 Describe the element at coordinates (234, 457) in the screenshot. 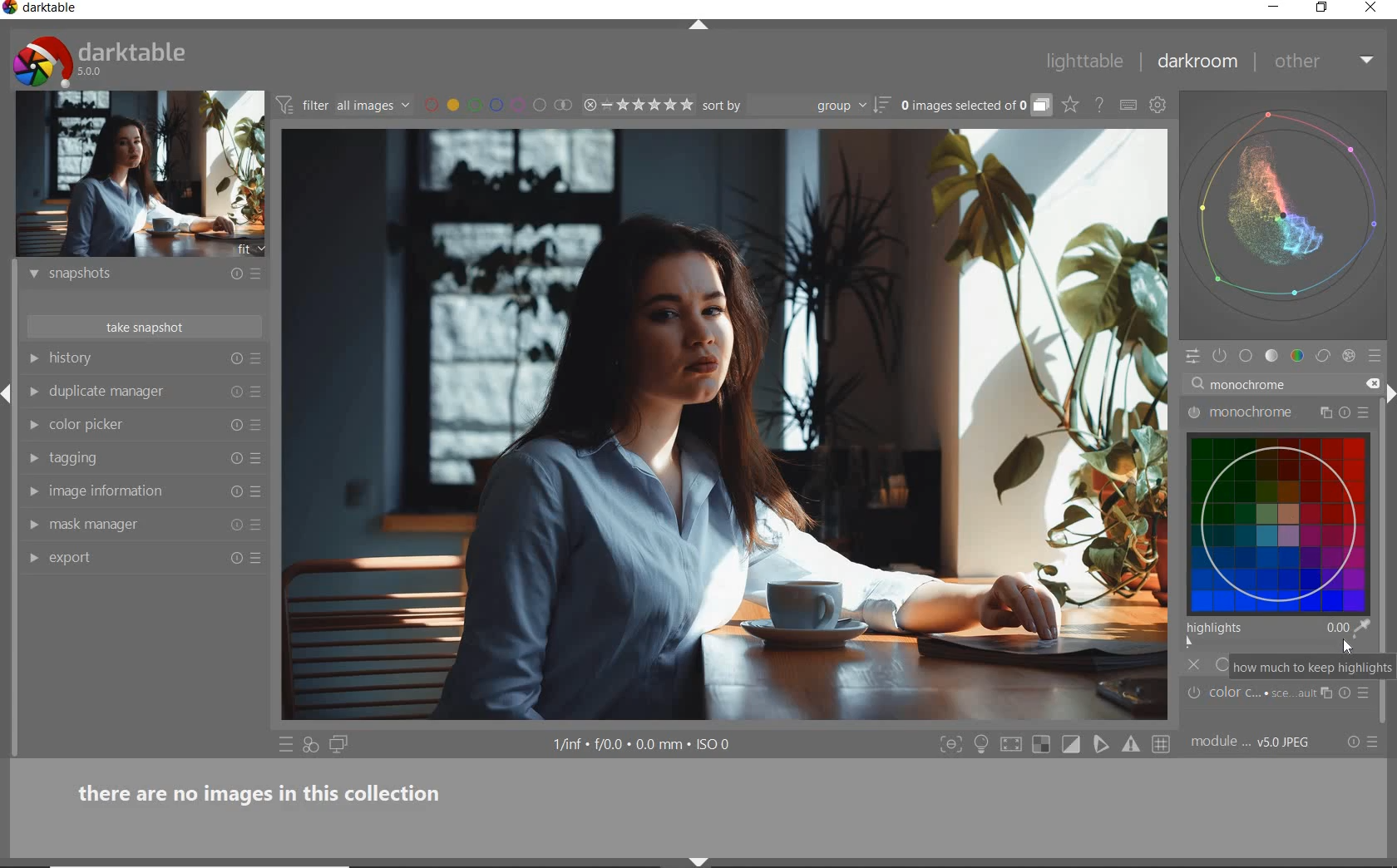

I see `reset` at that location.